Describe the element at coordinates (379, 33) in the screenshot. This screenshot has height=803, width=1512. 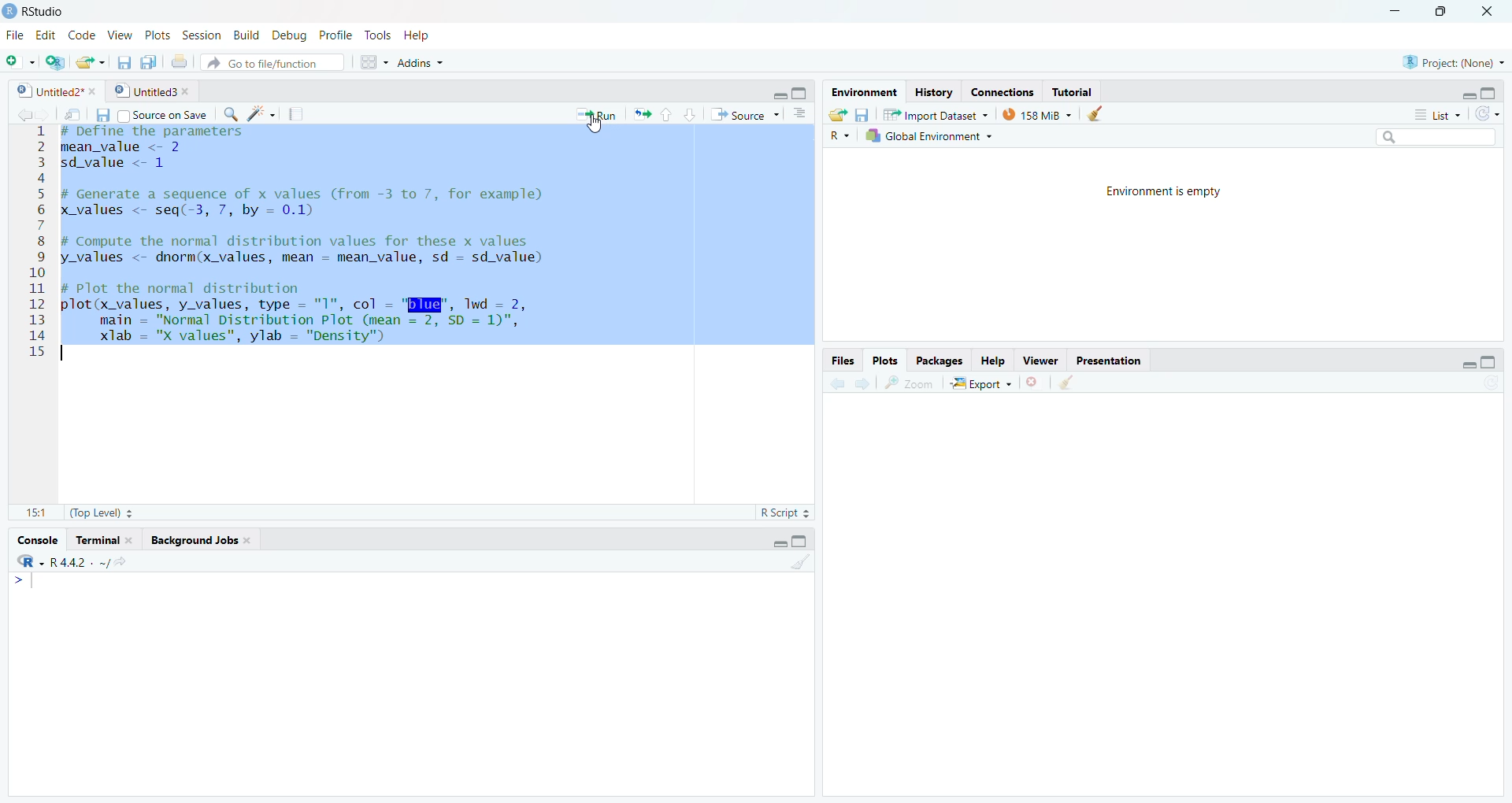
I see `Tools` at that location.